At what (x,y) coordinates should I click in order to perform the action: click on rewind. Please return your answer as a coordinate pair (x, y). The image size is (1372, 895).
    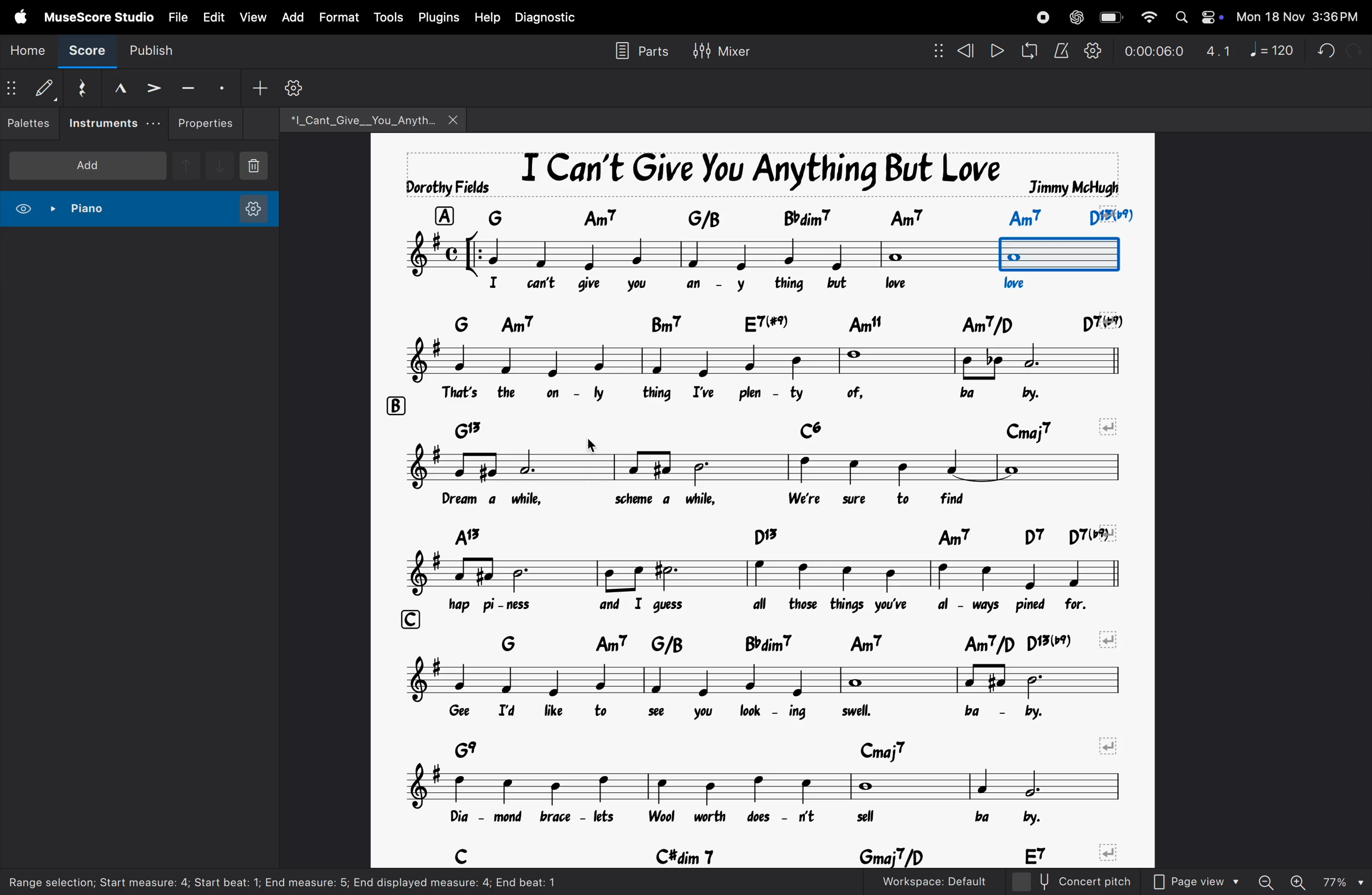
    Looking at the image, I should click on (955, 51).